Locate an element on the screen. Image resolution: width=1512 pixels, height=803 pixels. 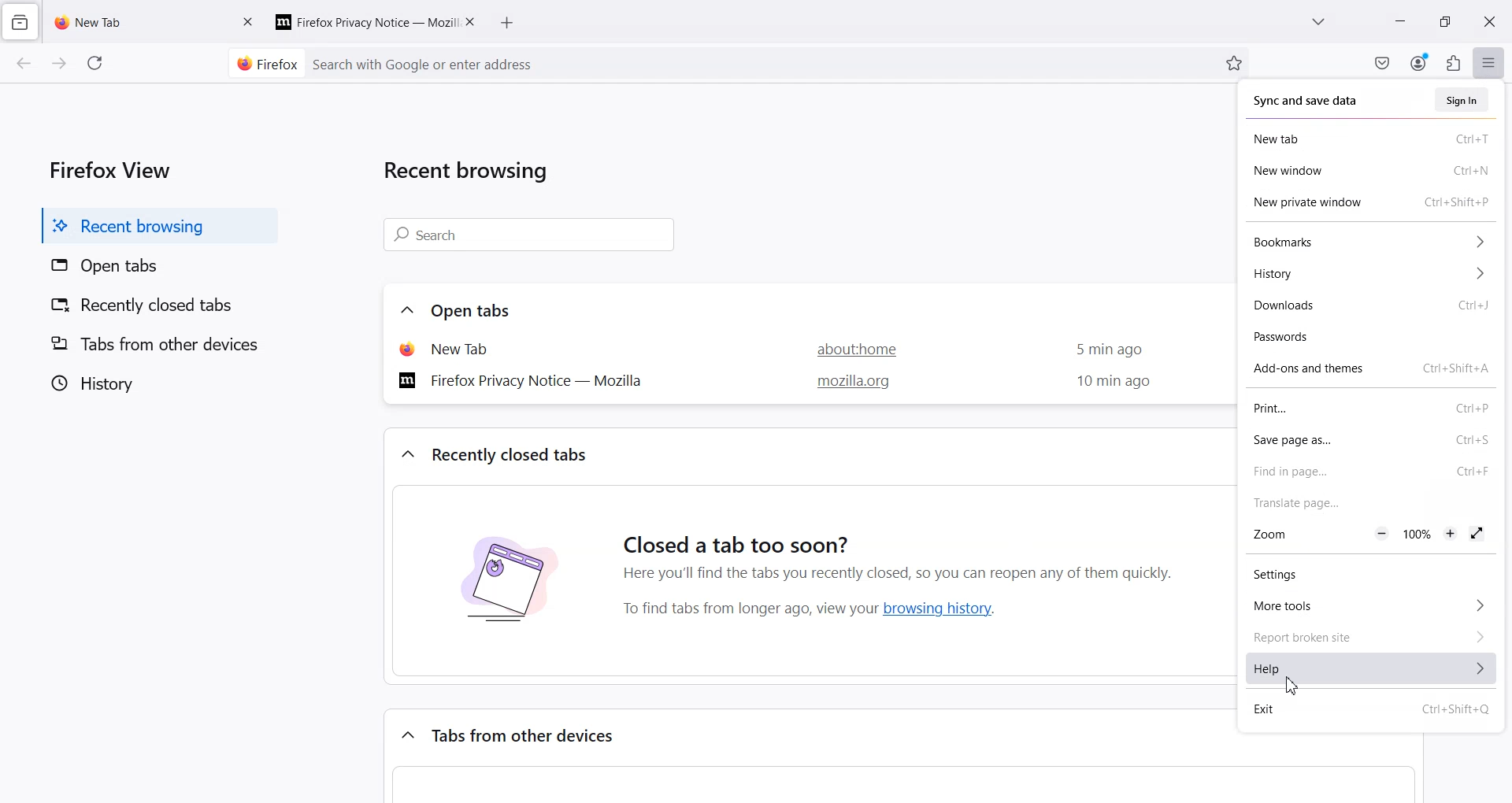
Extension's is located at coordinates (1453, 62).